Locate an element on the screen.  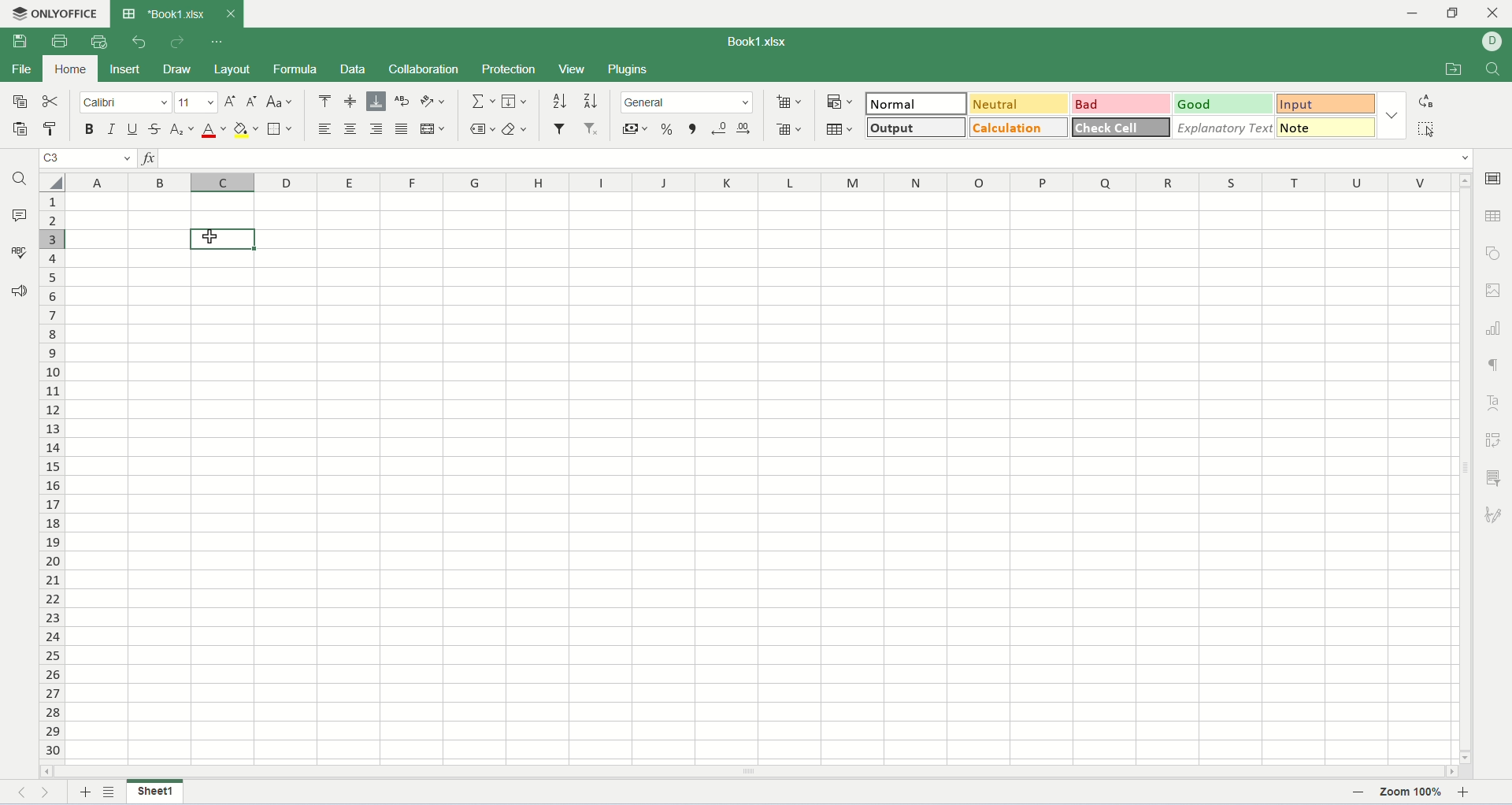
find is located at coordinates (19, 180).